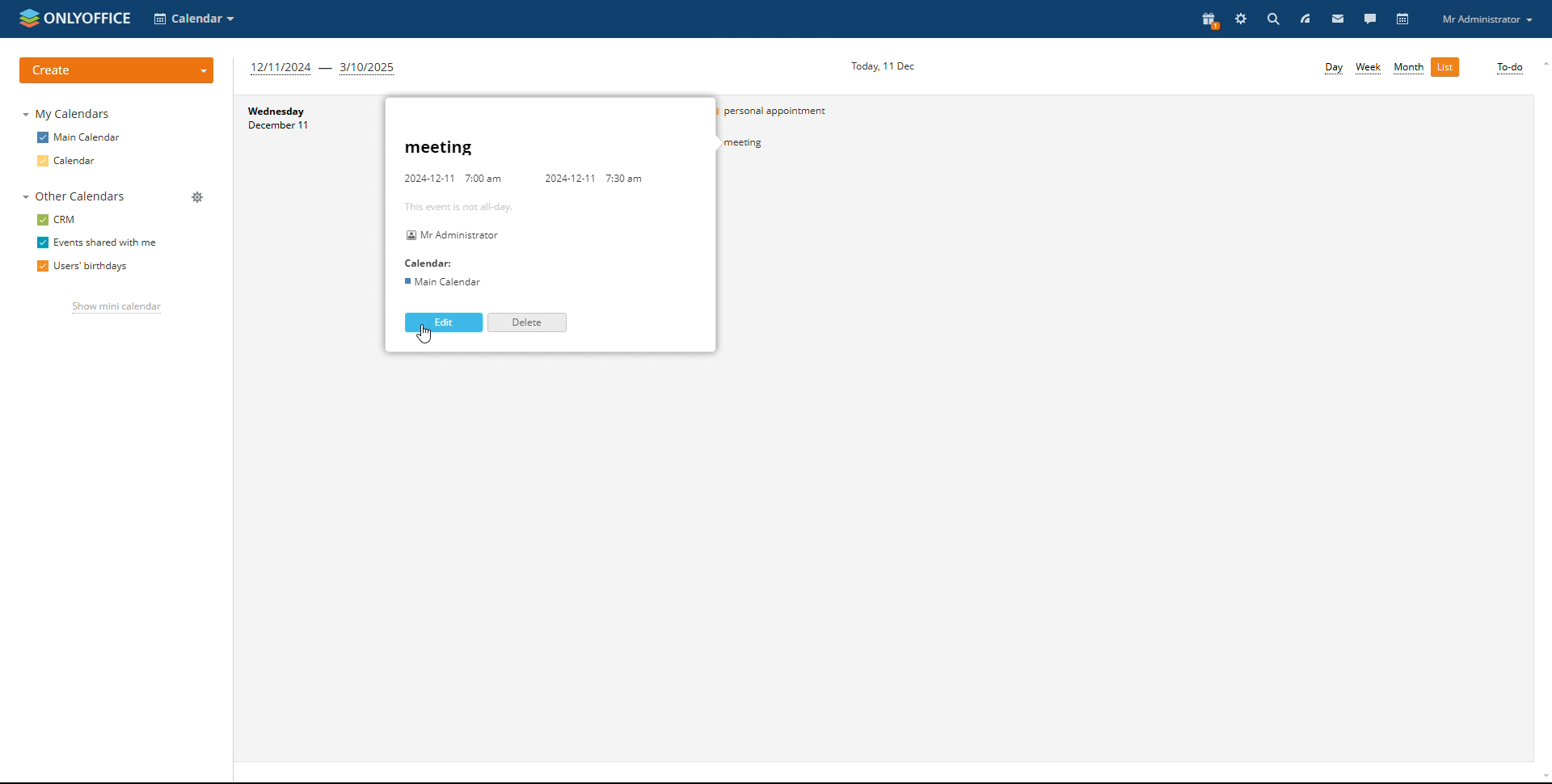  I want to click on settings, so click(1242, 19).